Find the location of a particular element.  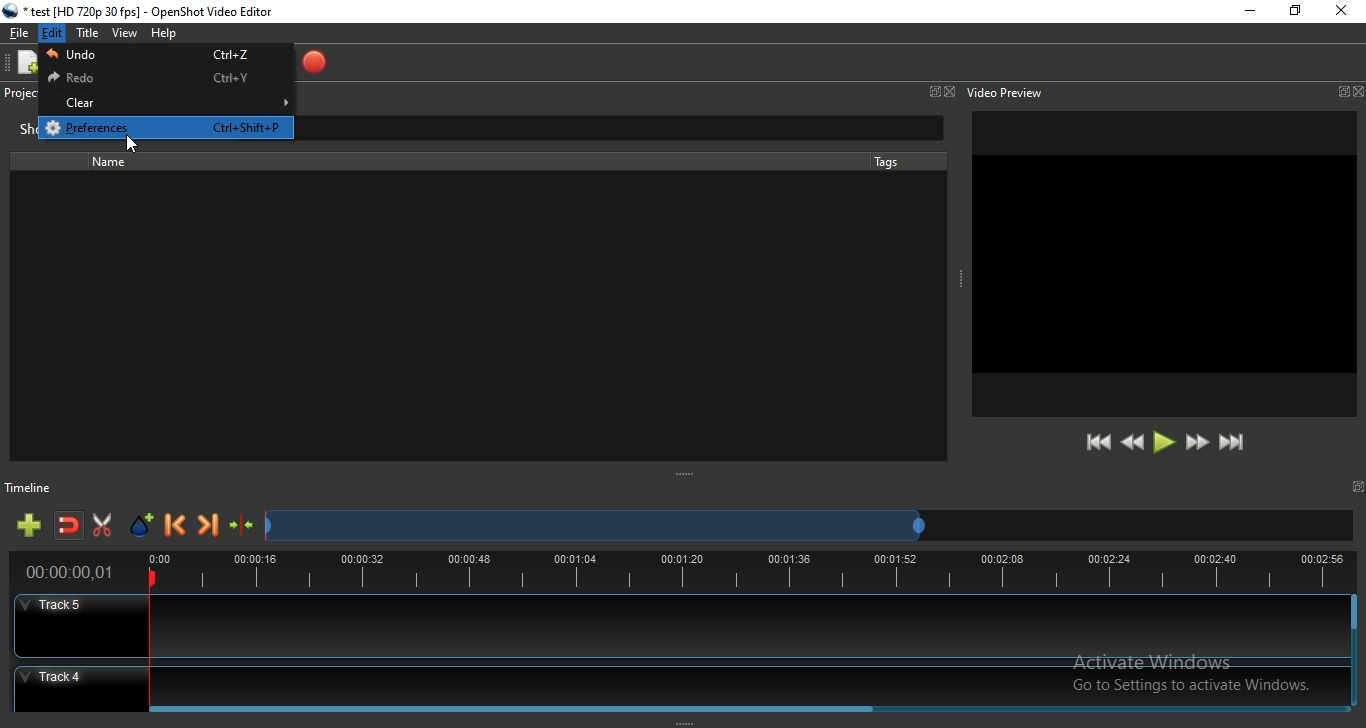

adjust window is located at coordinates (687, 476).